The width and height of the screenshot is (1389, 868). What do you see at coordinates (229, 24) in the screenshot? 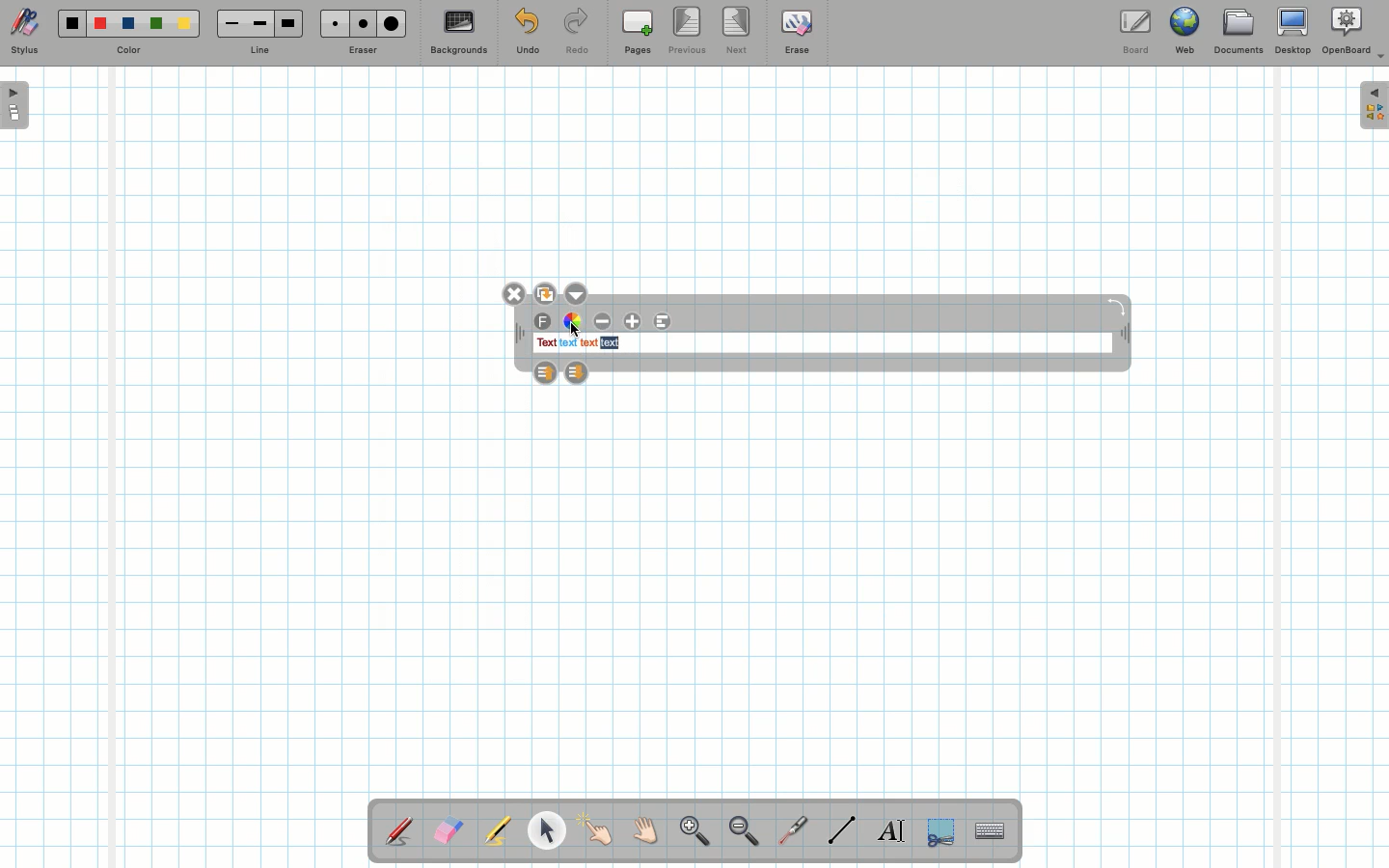
I see `Small line` at bounding box center [229, 24].